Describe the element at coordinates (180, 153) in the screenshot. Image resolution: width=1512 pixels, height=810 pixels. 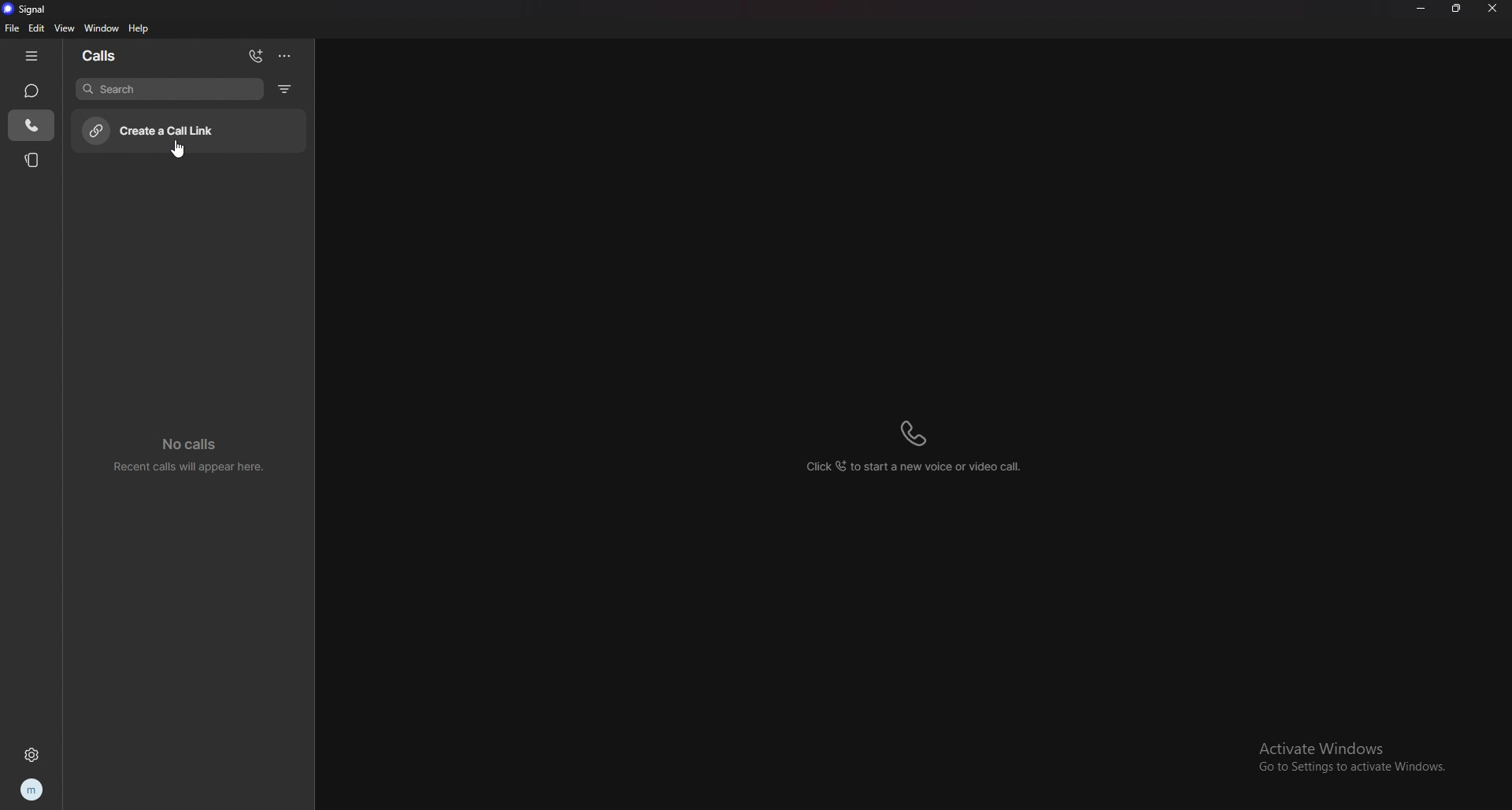
I see `cursor` at that location.